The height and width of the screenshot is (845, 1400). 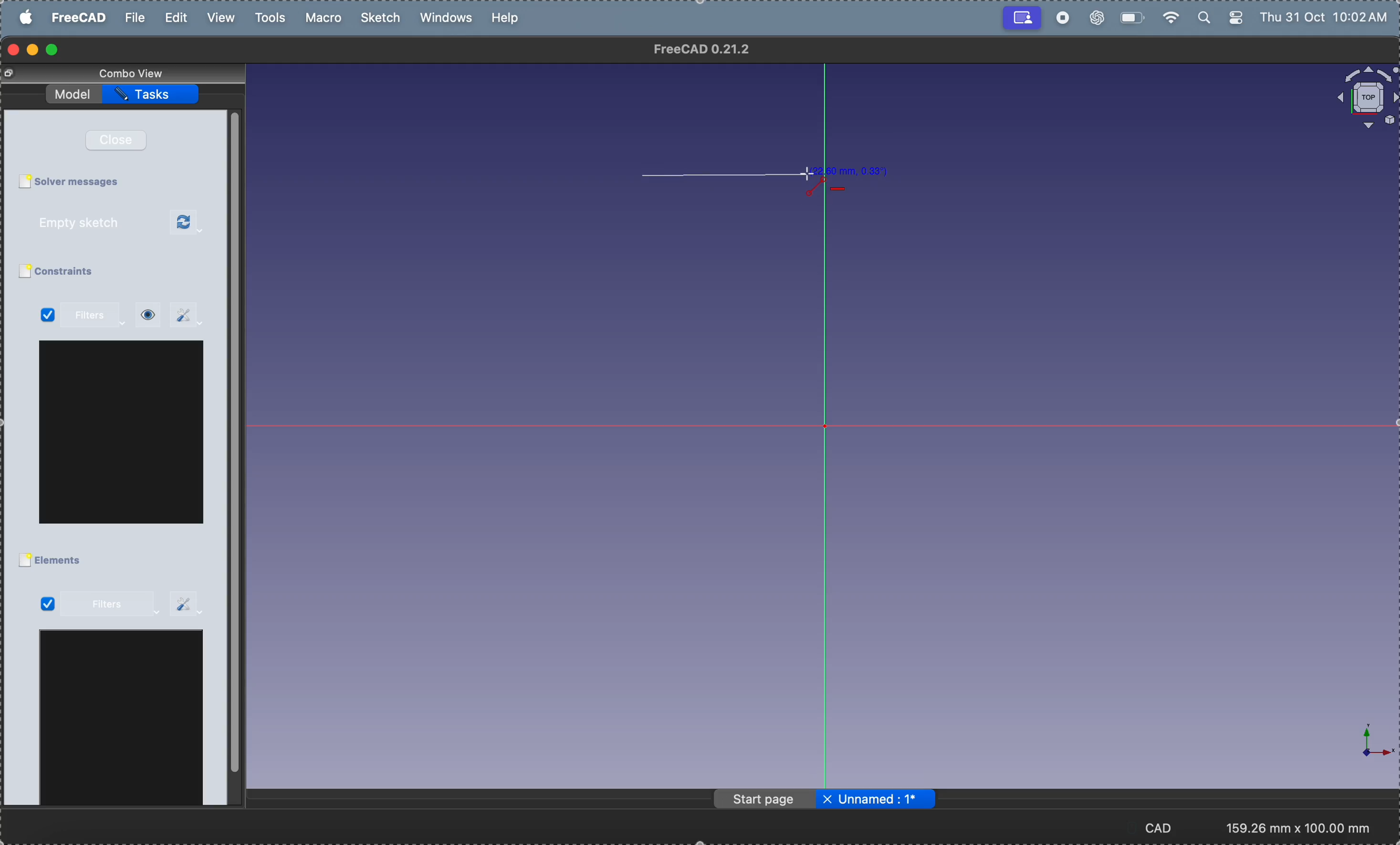 I want to click on minimize, so click(x=35, y=50).